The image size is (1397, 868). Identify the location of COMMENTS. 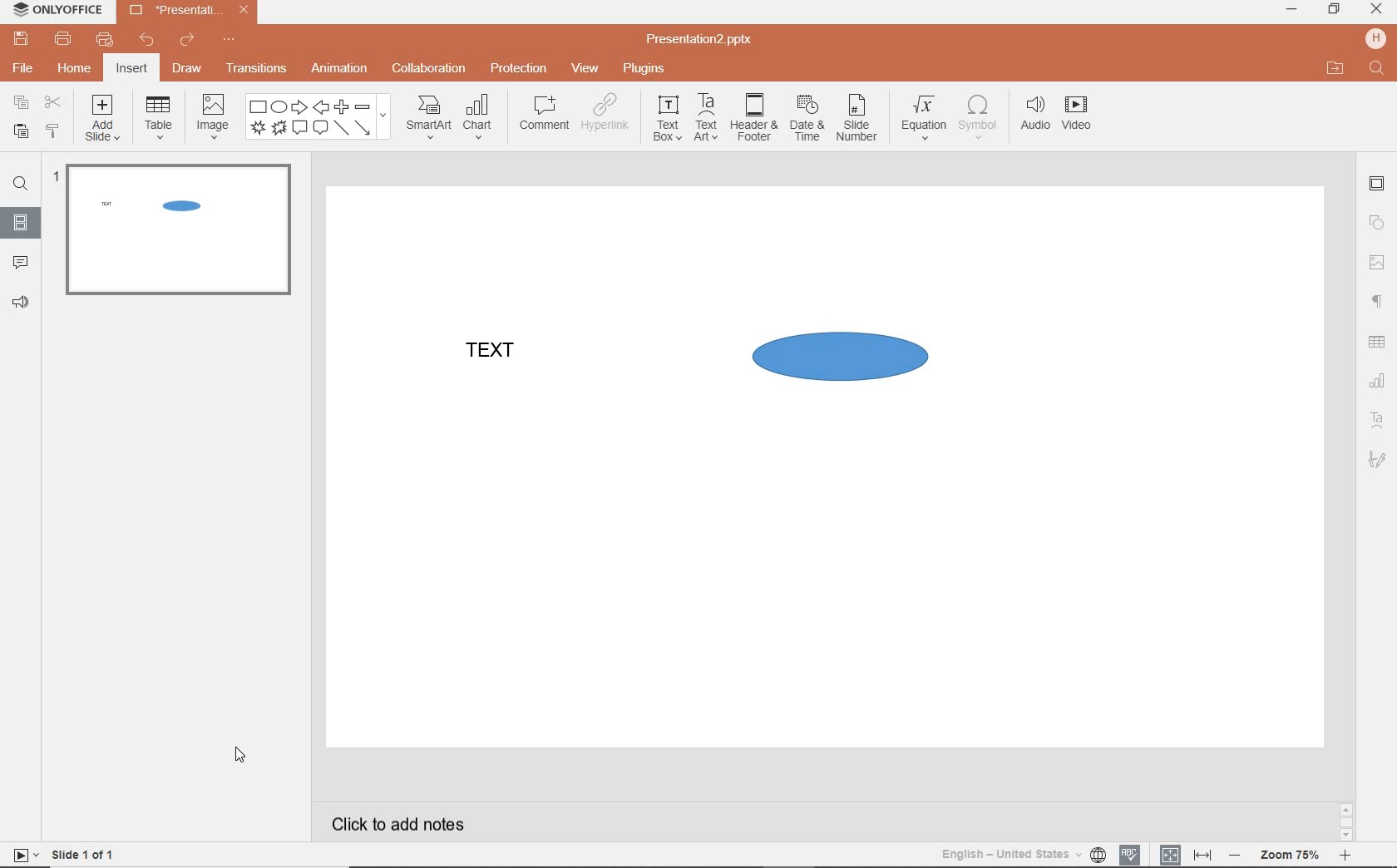
(19, 259).